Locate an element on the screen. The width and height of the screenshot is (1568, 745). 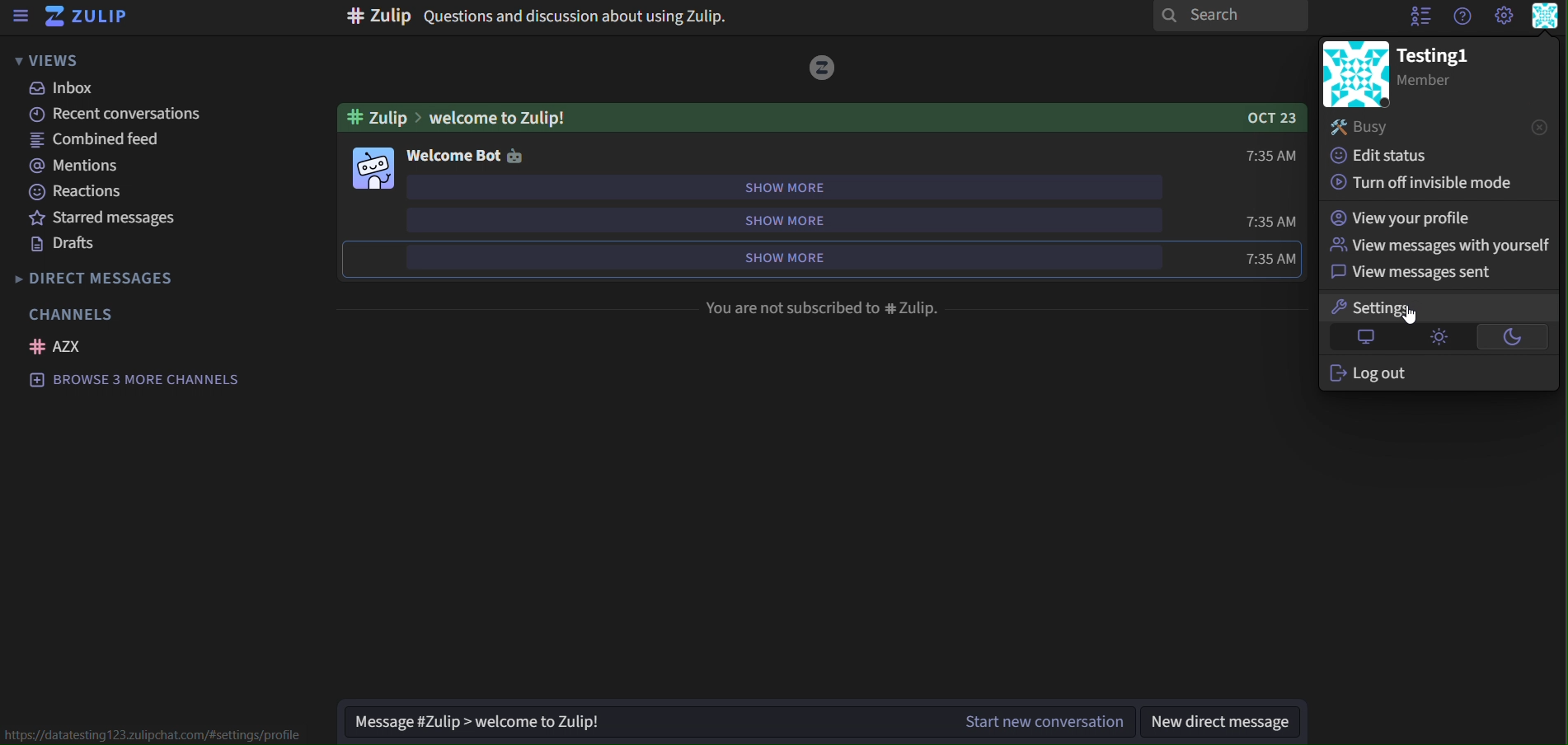
light theme is located at coordinates (1439, 337).